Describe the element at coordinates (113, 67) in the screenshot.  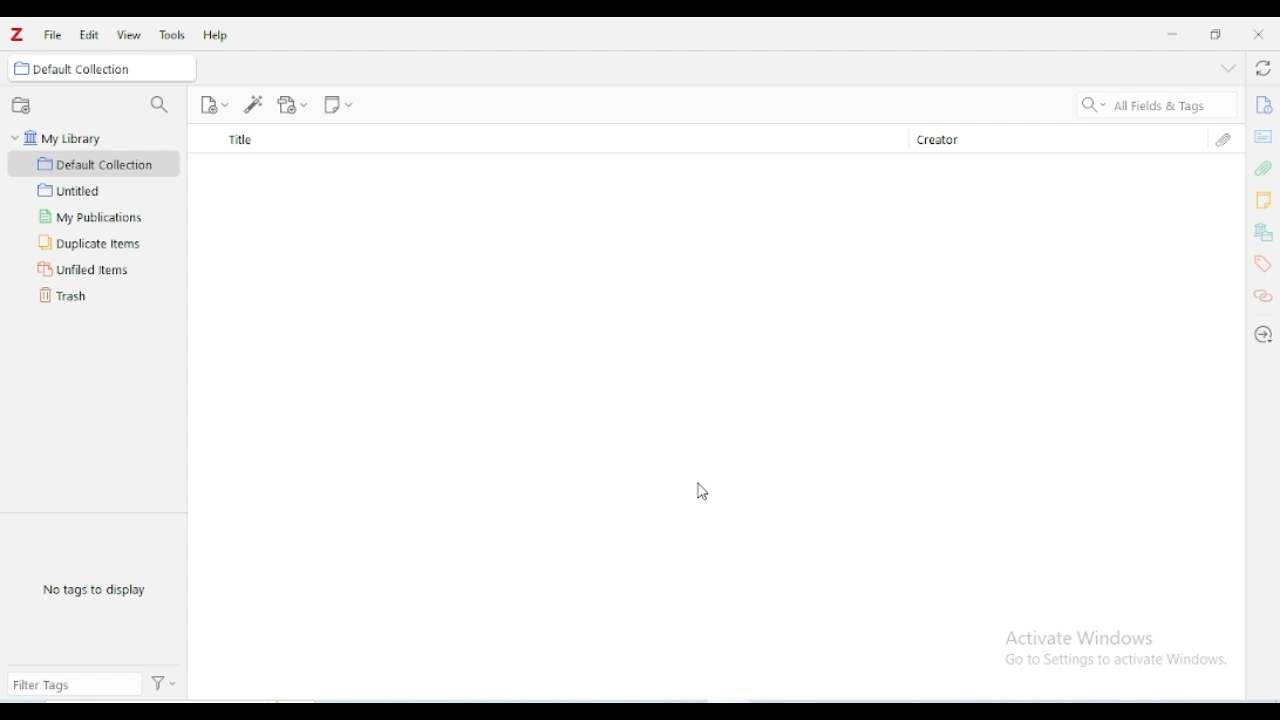
I see `Default Collections` at that location.